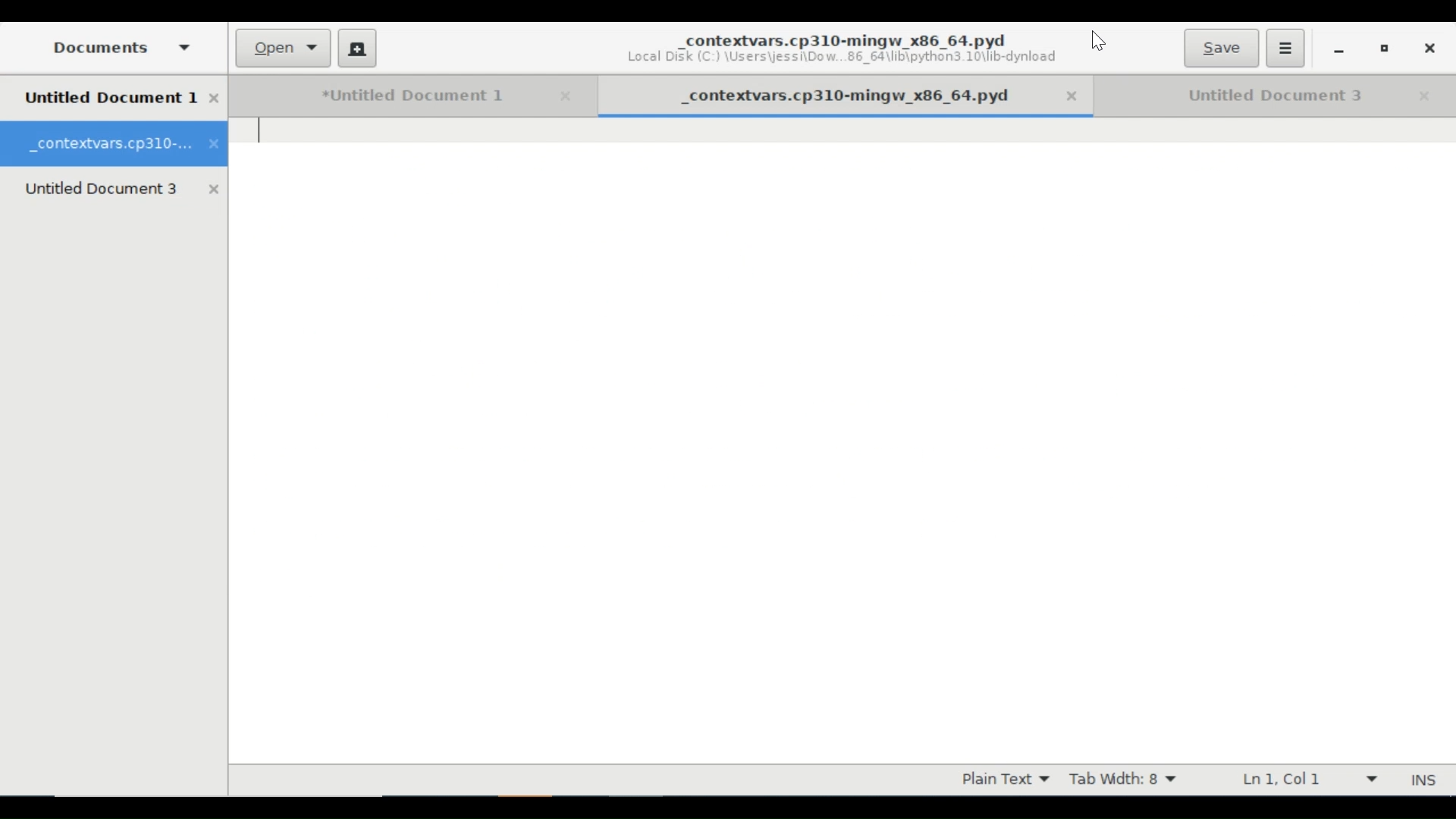  I want to click on Side Pane, so click(118, 47).